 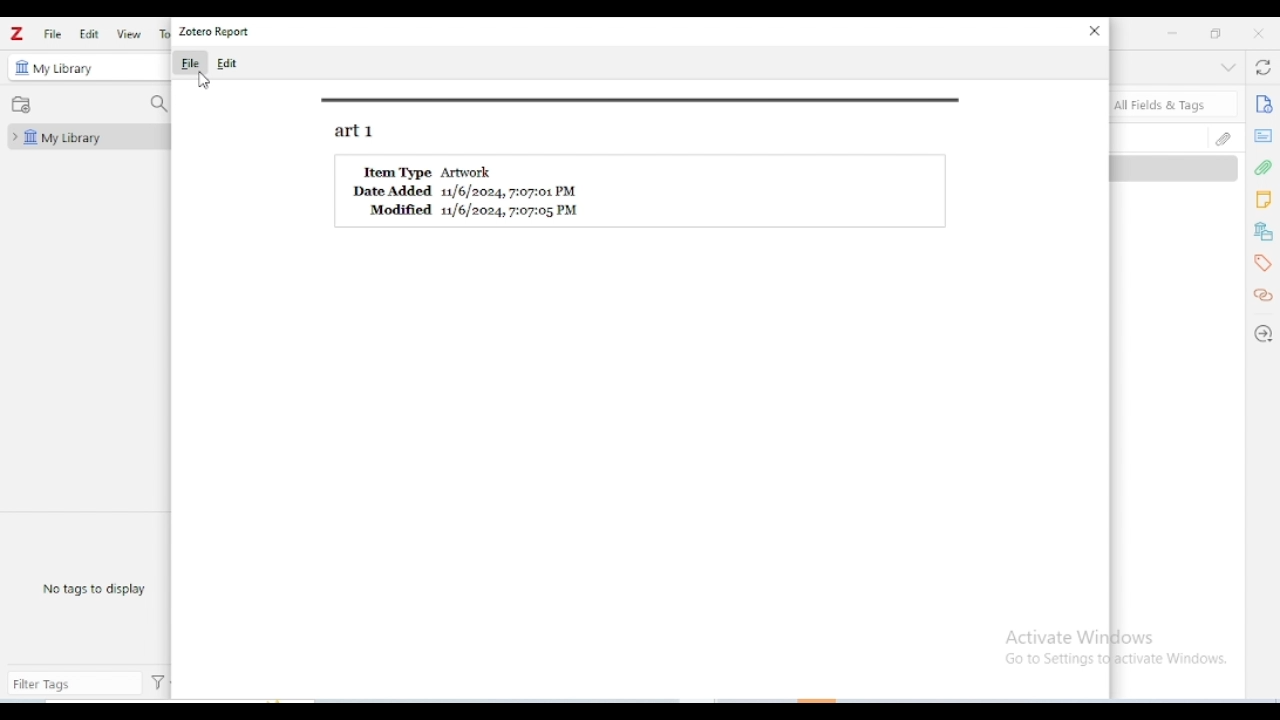 I want to click on file, so click(x=54, y=34).